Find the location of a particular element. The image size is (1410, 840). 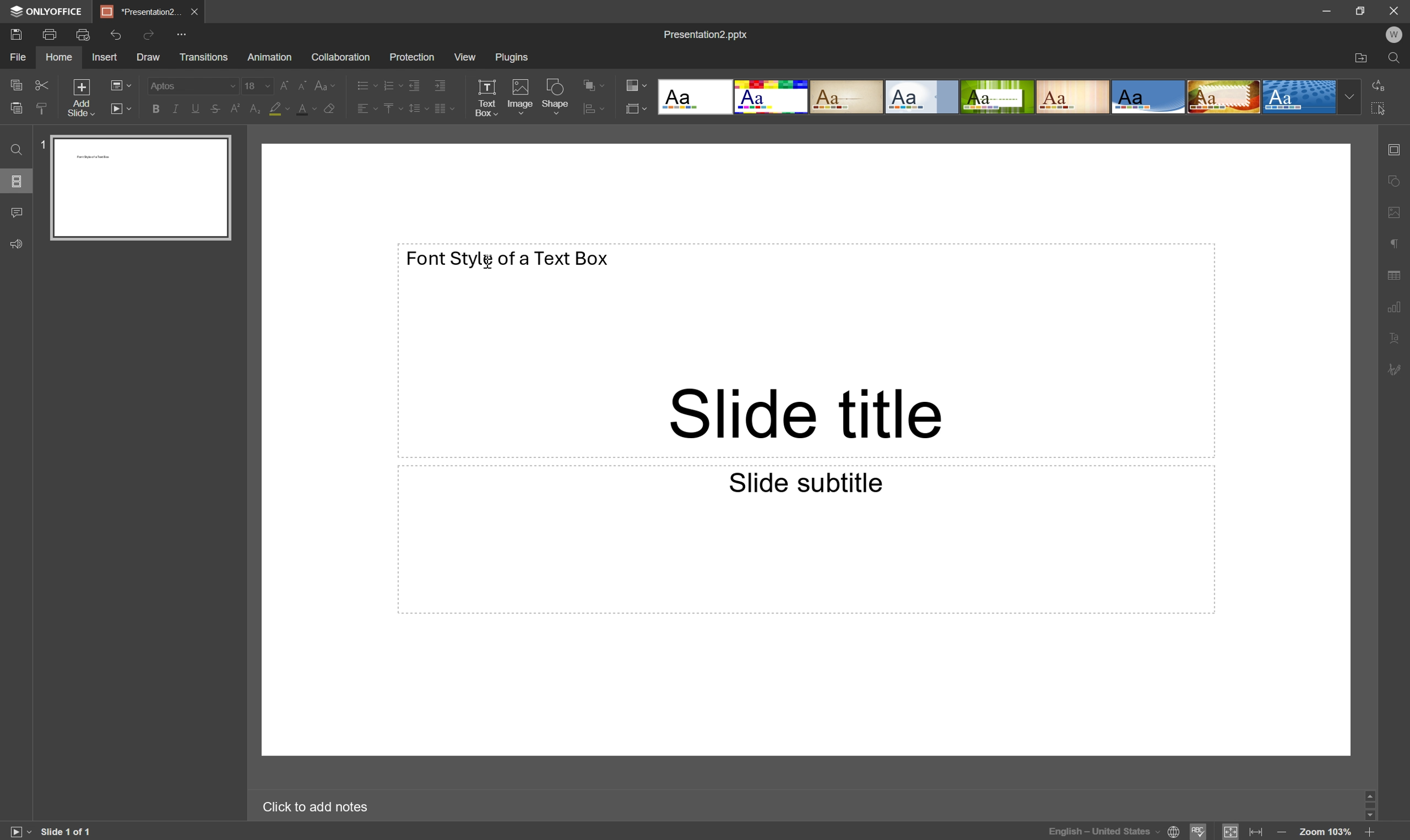

Start slideshow is located at coordinates (123, 109).